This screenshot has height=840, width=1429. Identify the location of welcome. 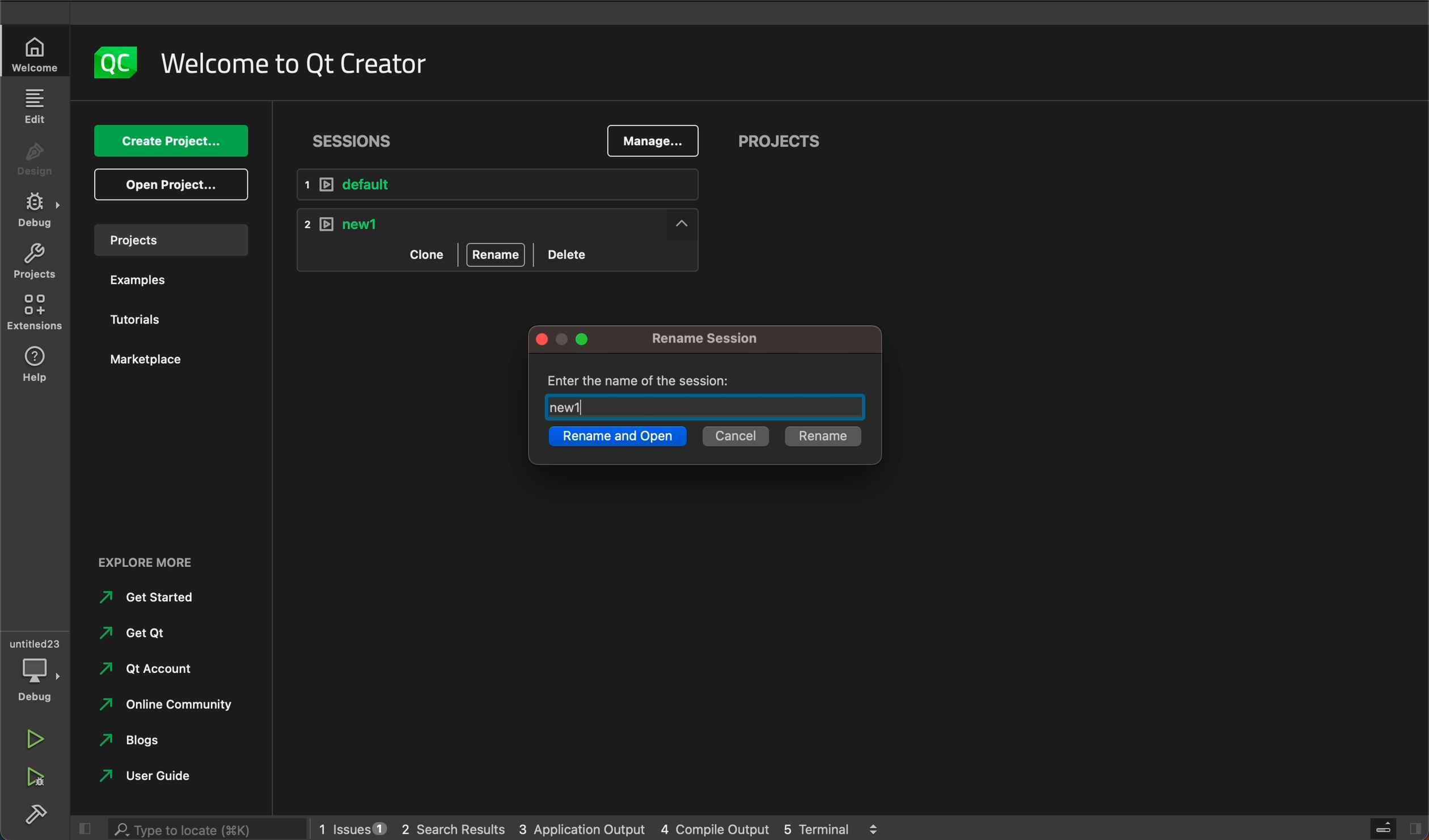
(293, 60).